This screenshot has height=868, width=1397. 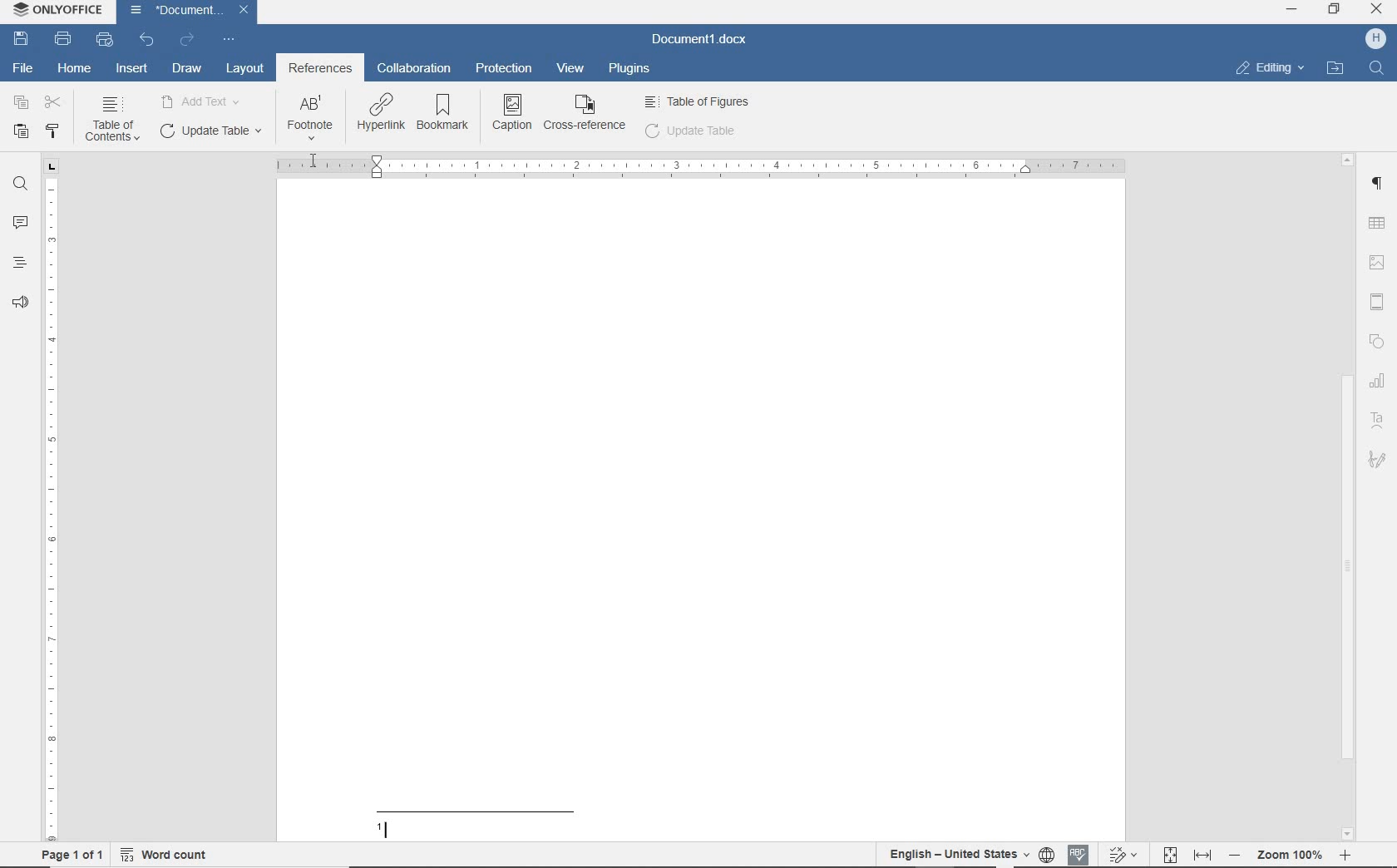 I want to click on OPEN FILE LOCATION, so click(x=1335, y=67).